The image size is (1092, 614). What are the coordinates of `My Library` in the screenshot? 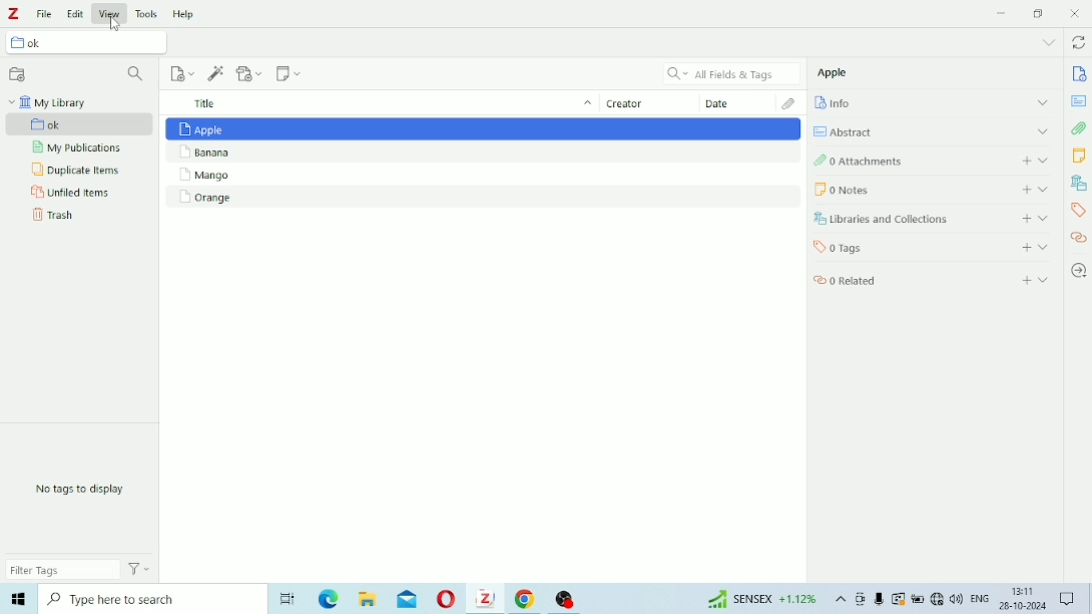 It's located at (51, 102).